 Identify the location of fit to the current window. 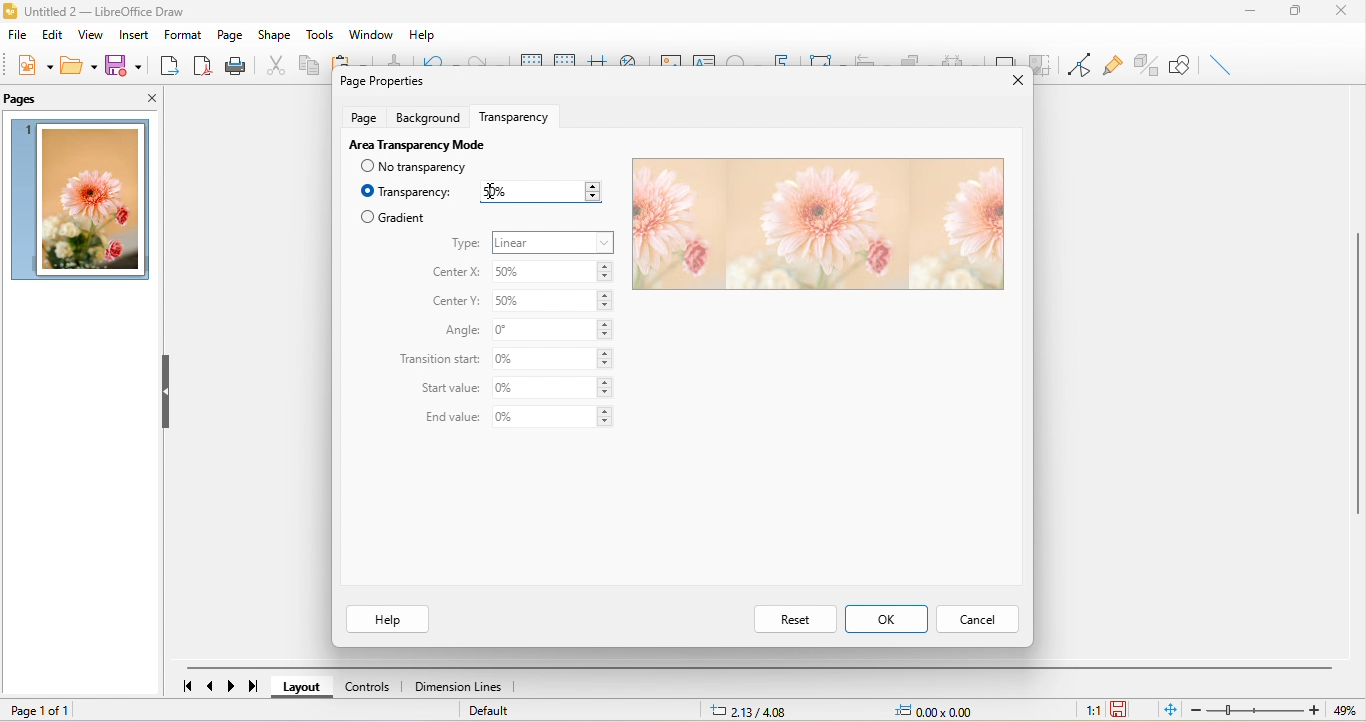
(1173, 710).